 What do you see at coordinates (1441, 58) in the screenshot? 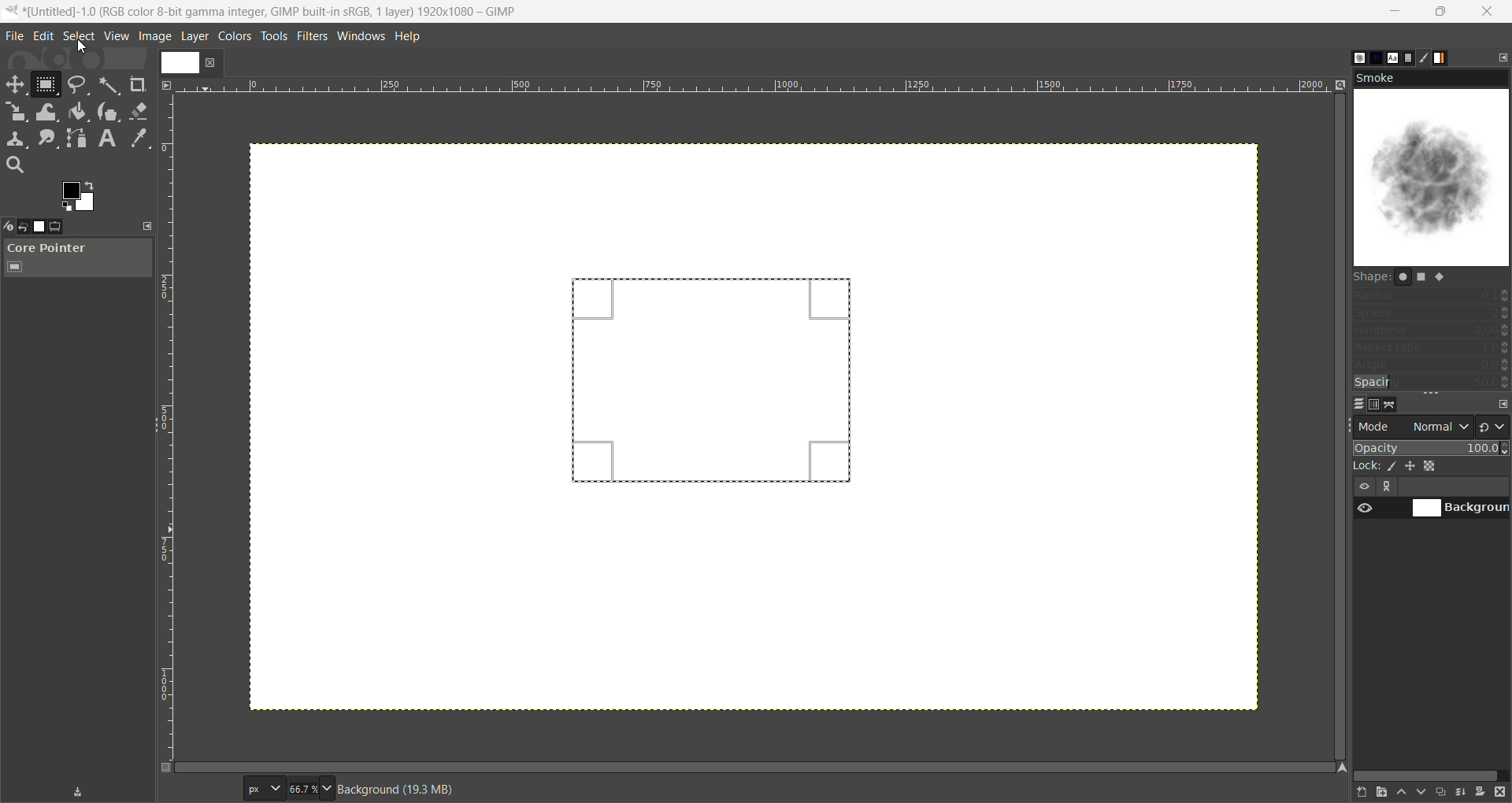
I see `gradient` at bounding box center [1441, 58].